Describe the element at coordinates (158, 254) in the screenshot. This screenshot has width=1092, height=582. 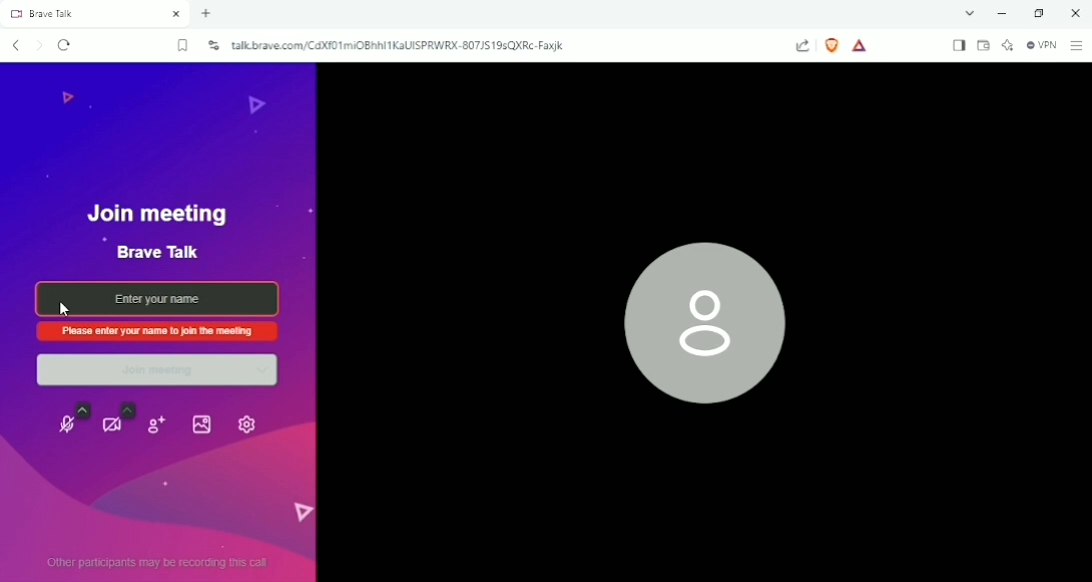
I see `Brave Talk` at that location.